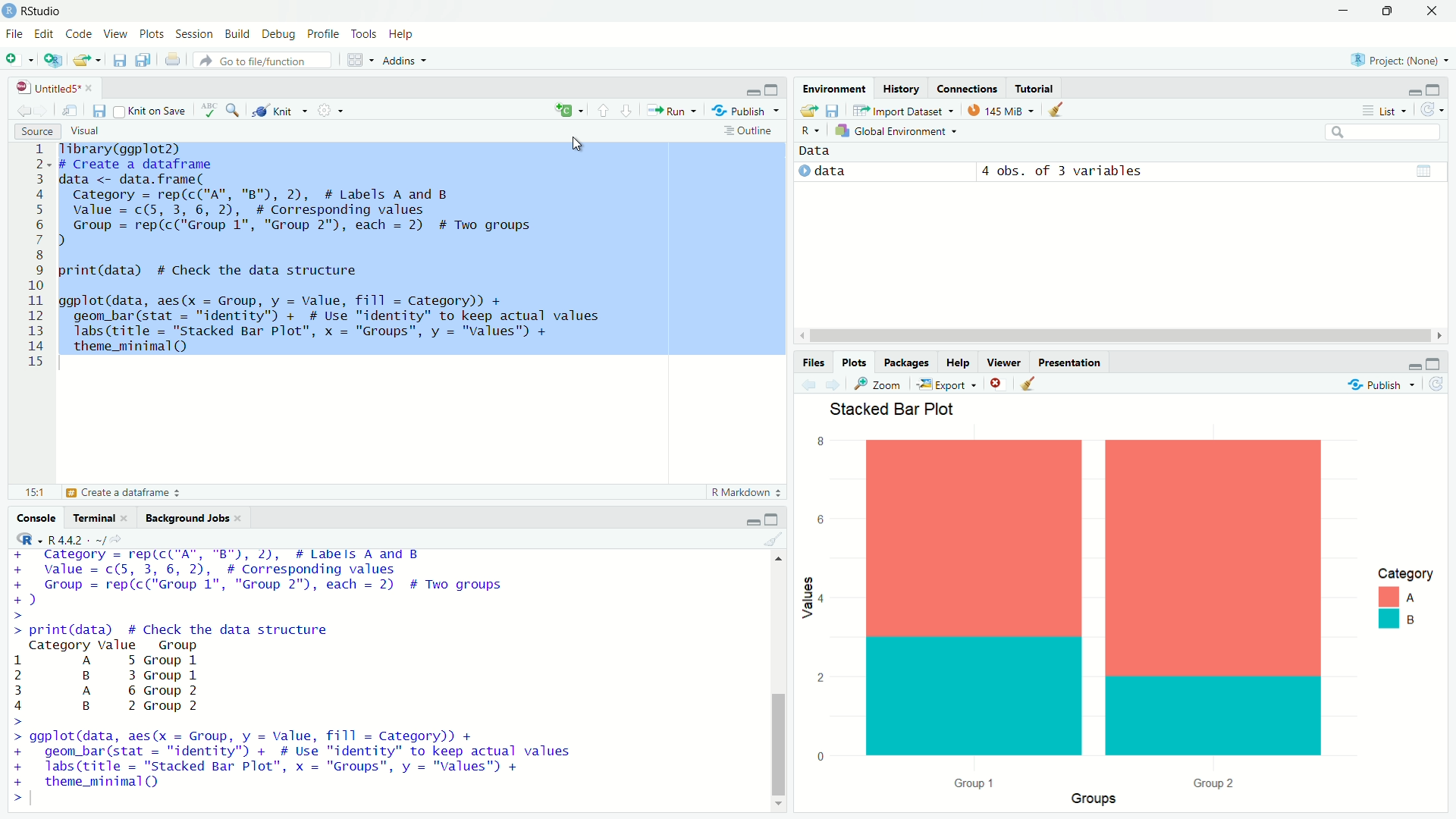 The width and height of the screenshot is (1456, 819). I want to click on Tools, so click(365, 33).